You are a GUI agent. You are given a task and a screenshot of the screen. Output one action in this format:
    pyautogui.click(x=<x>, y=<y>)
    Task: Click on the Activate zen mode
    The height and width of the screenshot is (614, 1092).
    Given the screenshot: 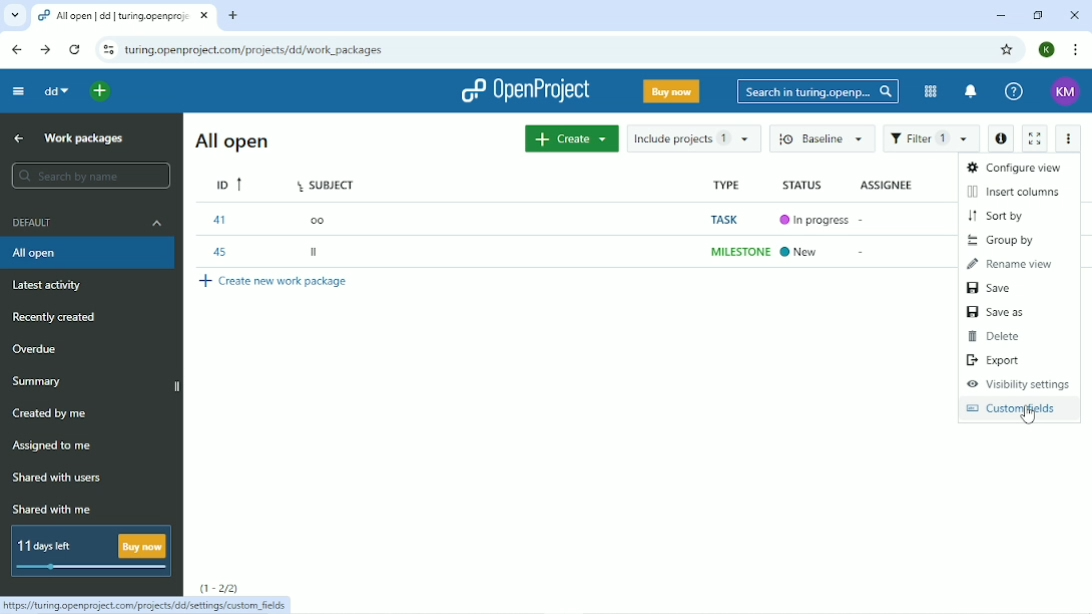 What is the action you would take?
    pyautogui.click(x=1037, y=138)
    